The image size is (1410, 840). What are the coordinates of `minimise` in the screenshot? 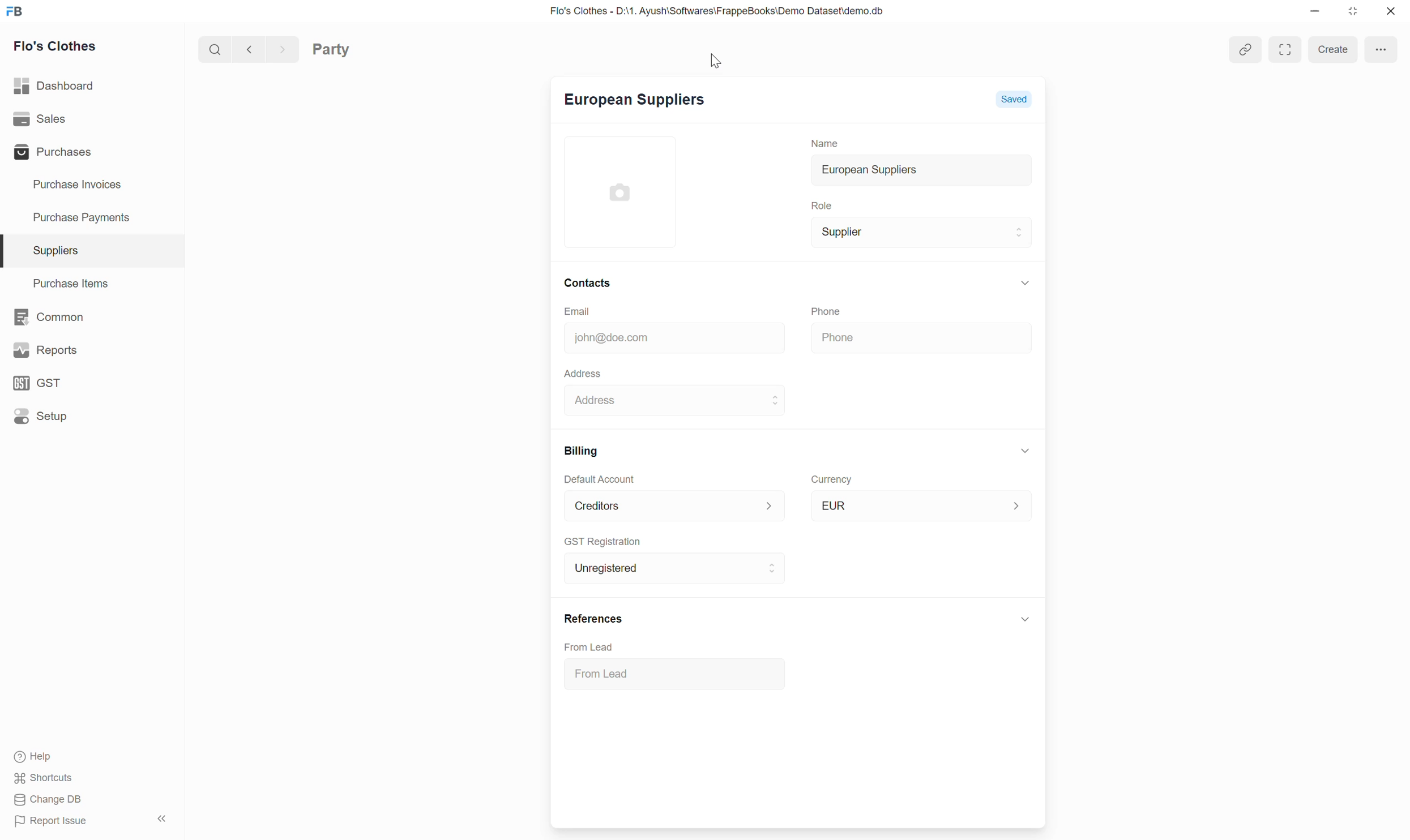 It's located at (1312, 11).